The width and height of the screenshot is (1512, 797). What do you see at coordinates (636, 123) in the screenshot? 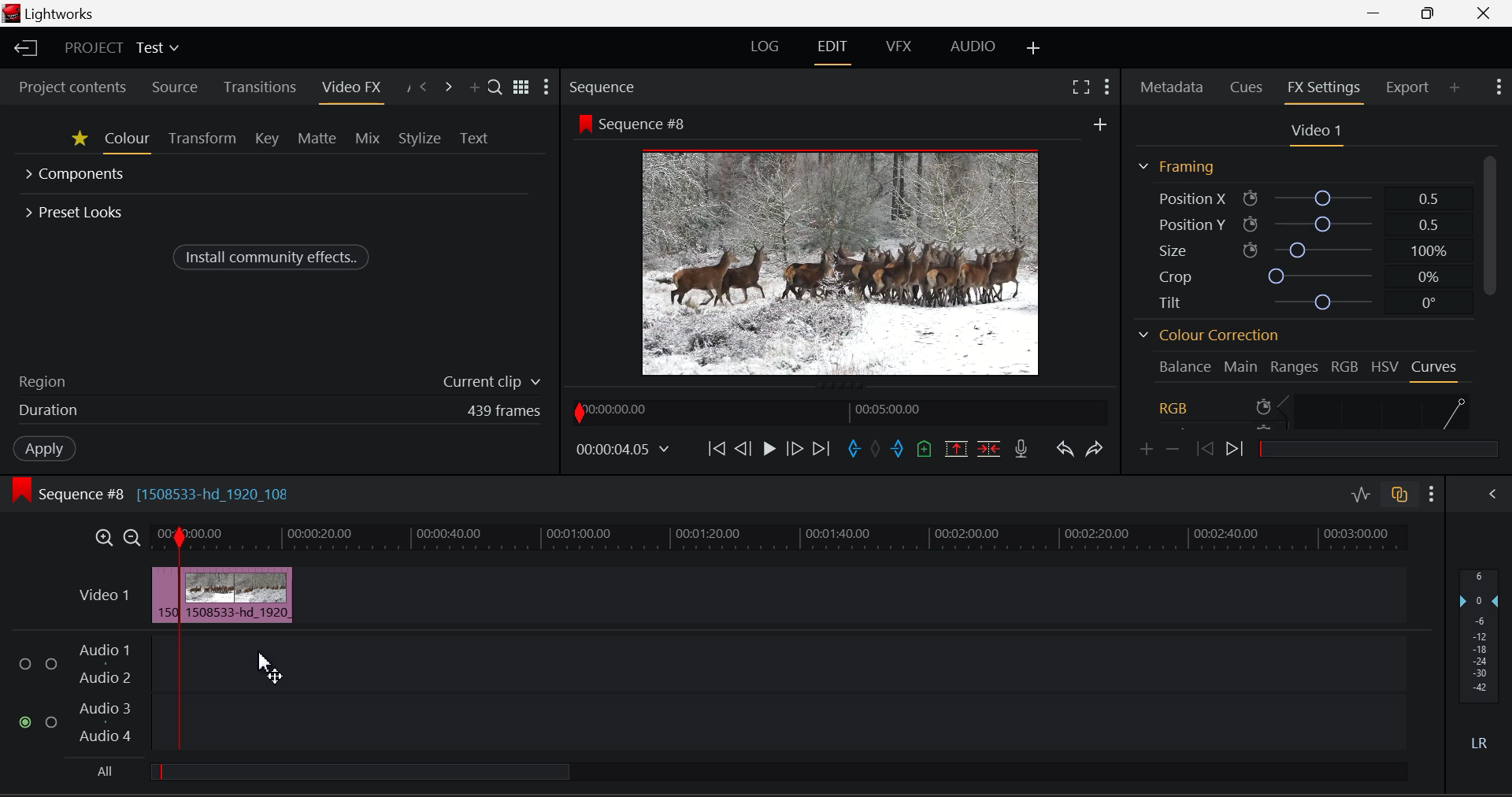
I see `Sequence #8` at bounding box center [636, 123].